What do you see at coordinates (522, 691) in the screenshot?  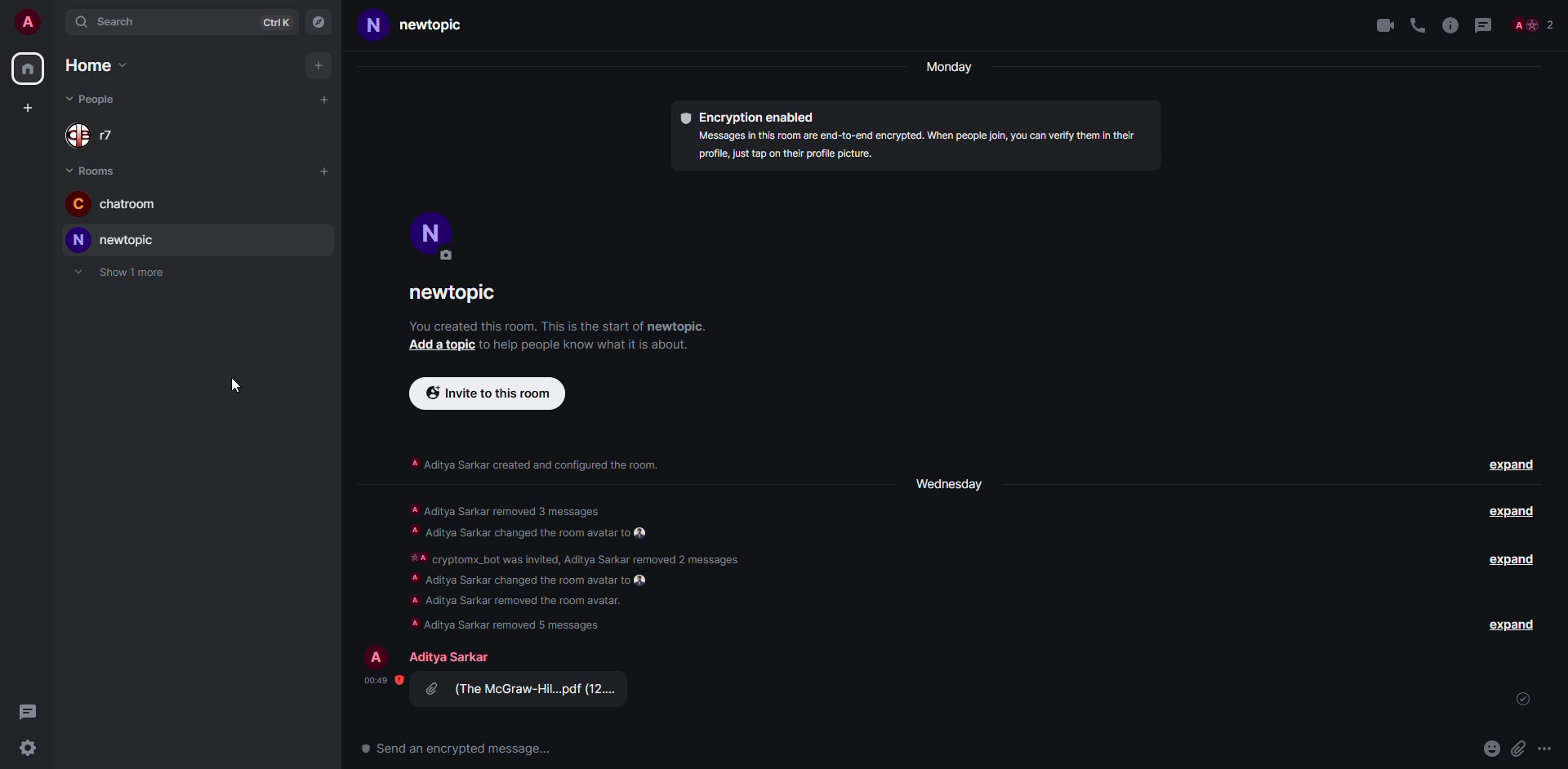 I see `file` at bounding box center [522, 691].